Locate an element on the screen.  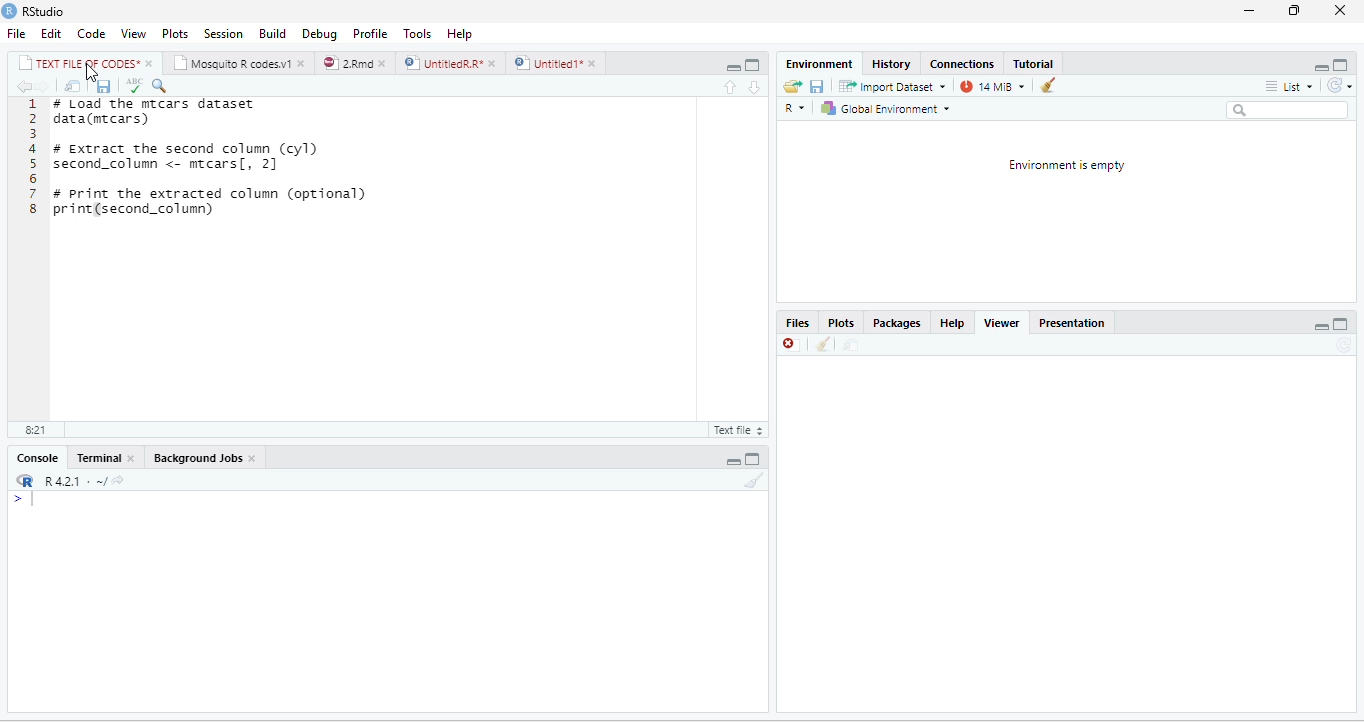
save is located at coordinates (103, 85).